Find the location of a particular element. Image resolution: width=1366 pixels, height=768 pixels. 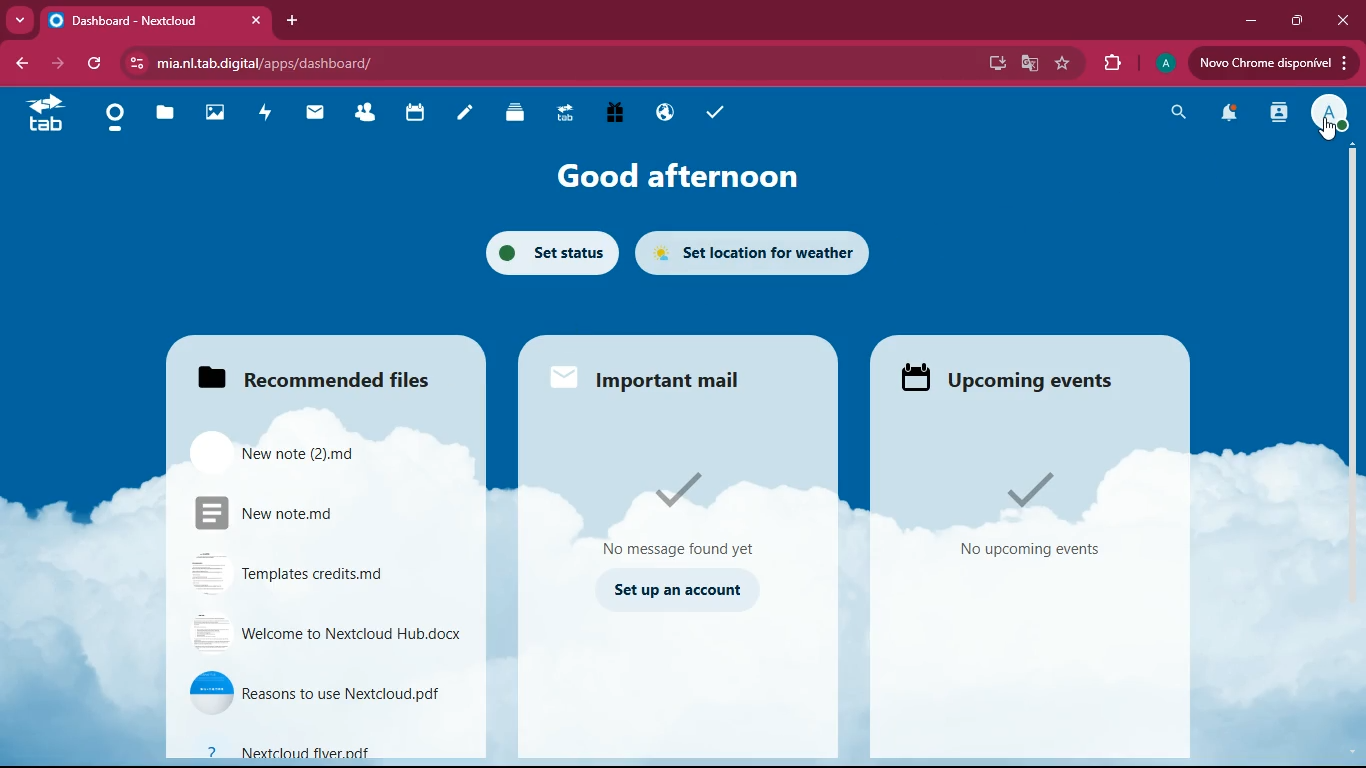

mail is located at coordinates (311, 116).